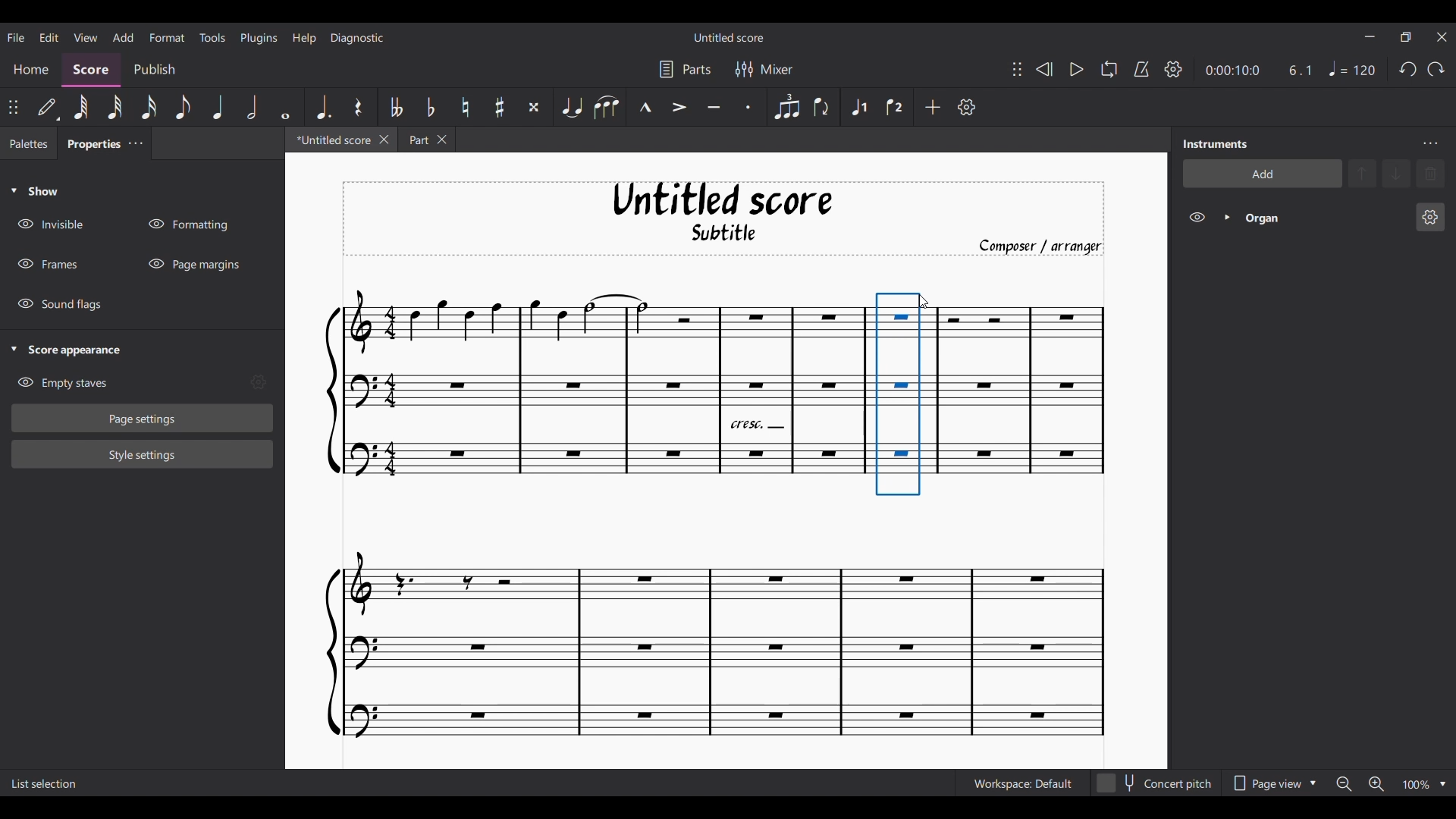  I want to click on Hide Frames, so click(48, 264).